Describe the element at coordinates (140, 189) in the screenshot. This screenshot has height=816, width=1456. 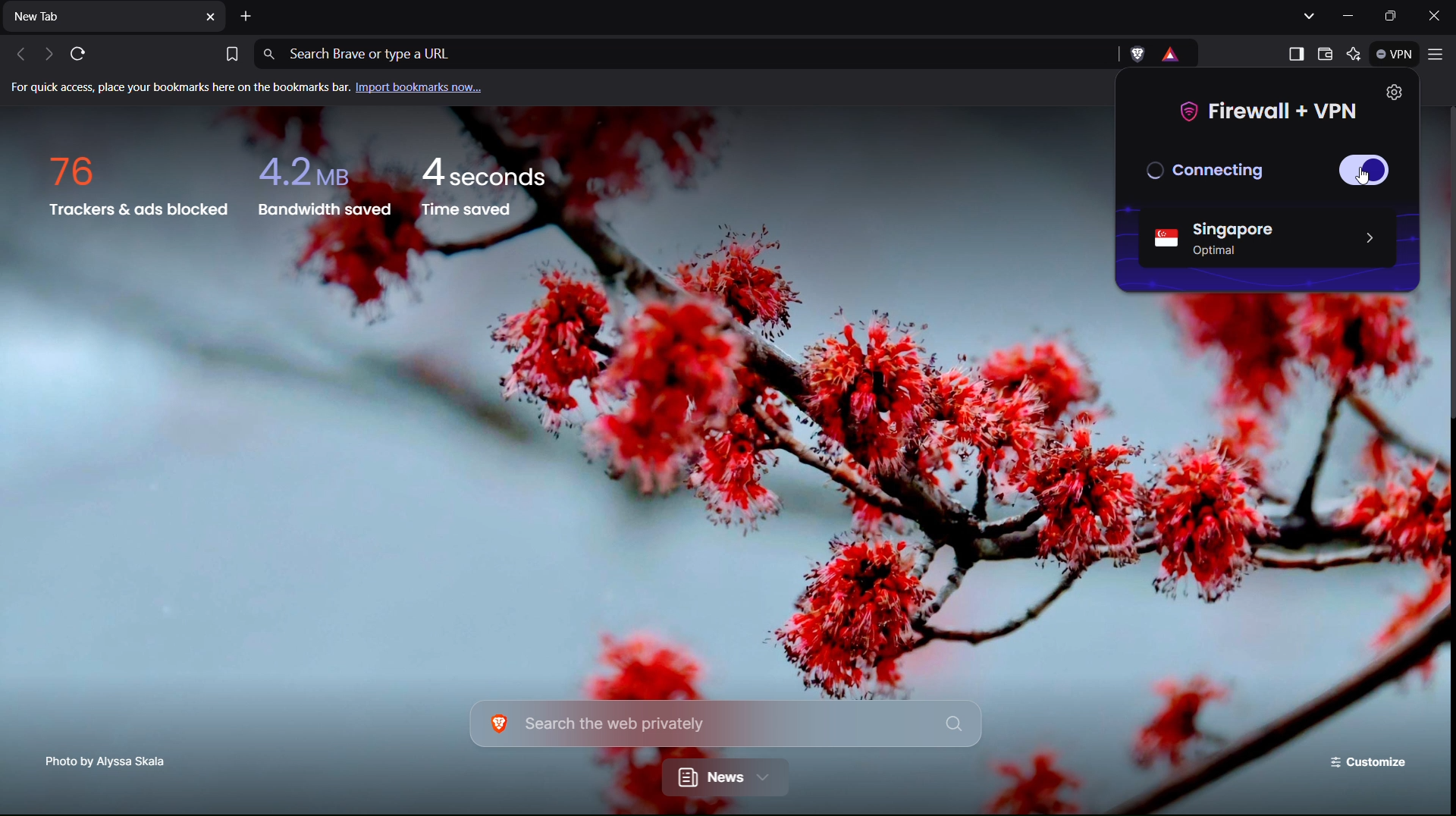
I see `Trackers and ads blocked` at that location.